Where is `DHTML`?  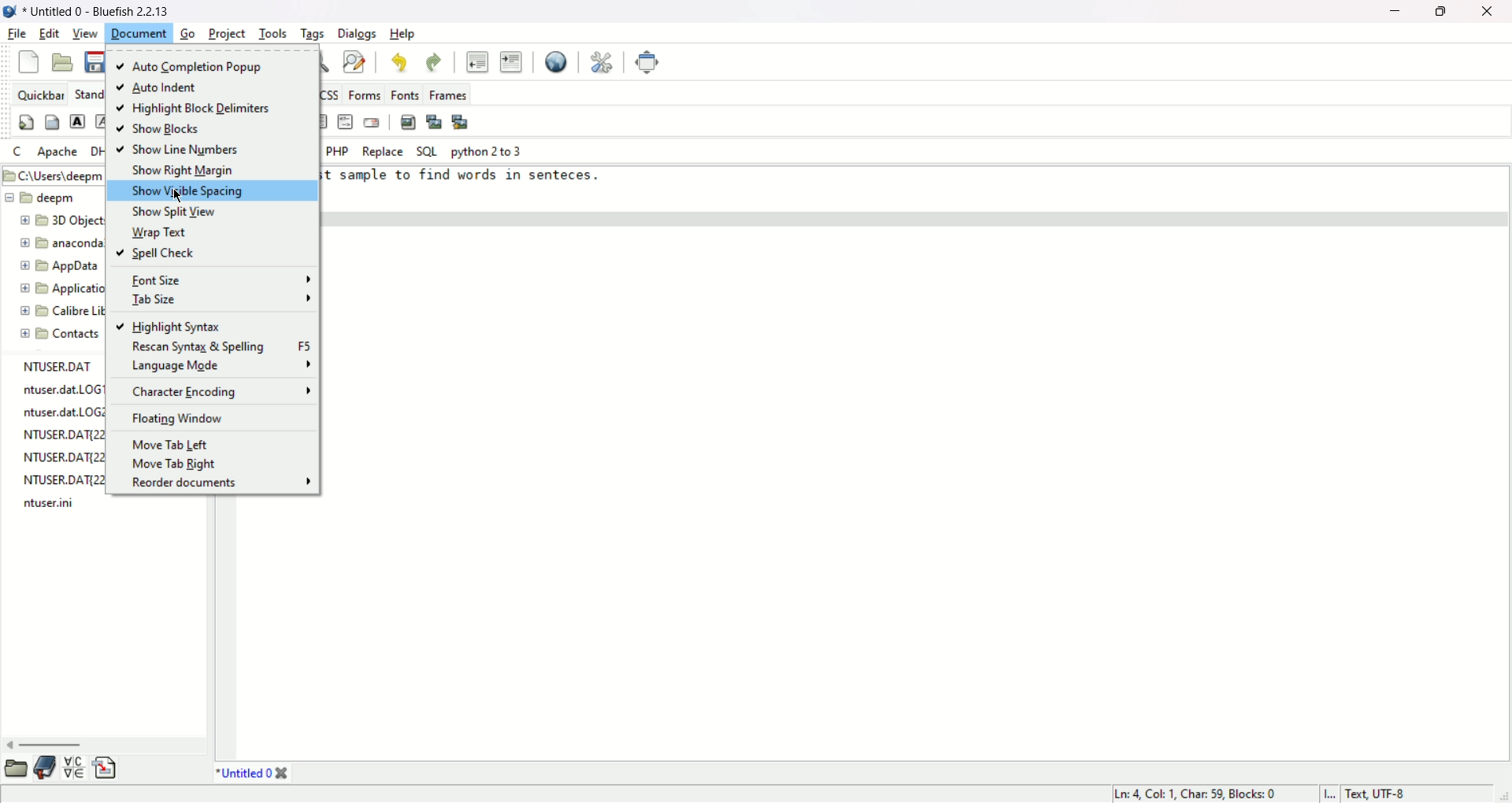
DHTML is located at coordinates (98, 150).